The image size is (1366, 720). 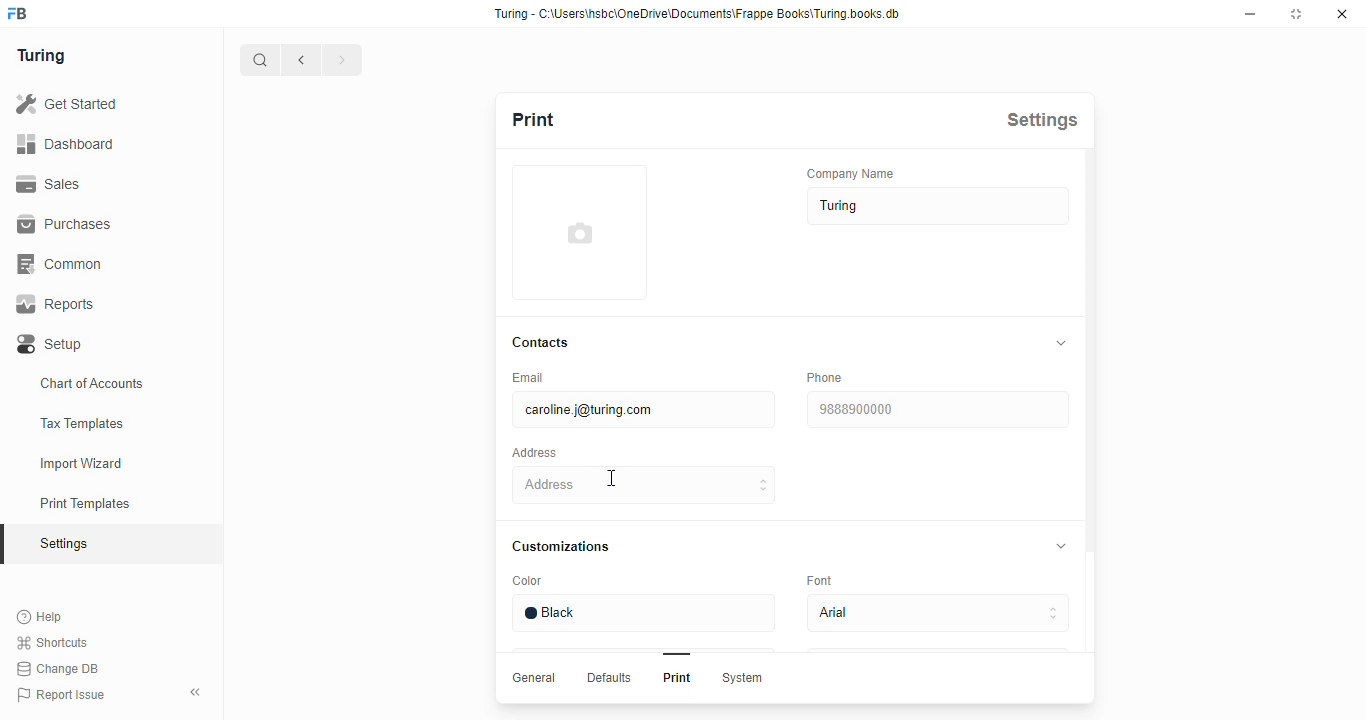 What do you see at coordinates (198, 691) in the screenshot?
I see `toggle sidebar` at bounding box center [198, 691].